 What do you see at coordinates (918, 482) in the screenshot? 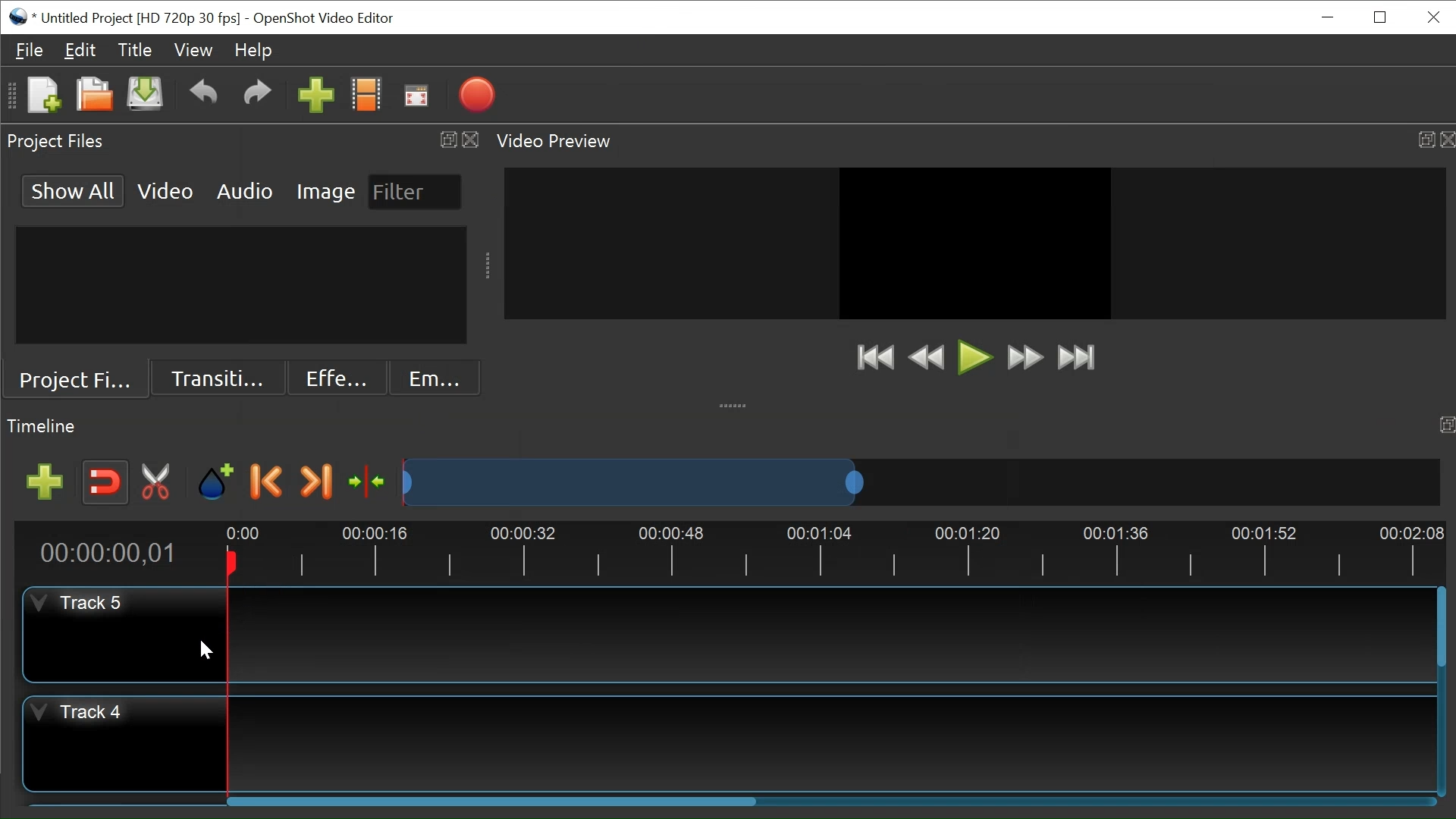
I see `Zoom Slider` at bounding box center [918, 482].